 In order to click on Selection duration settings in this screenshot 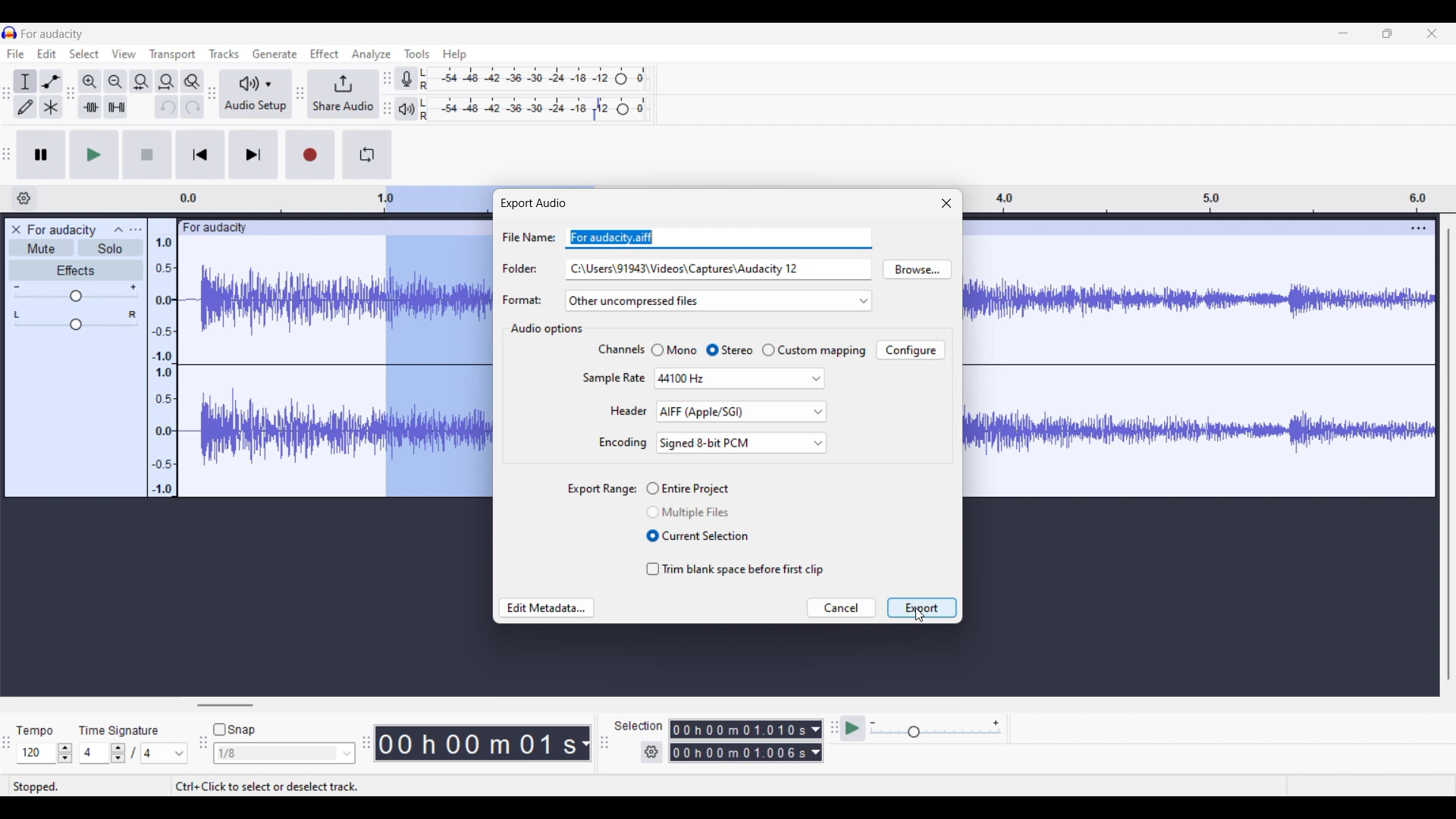, I will do `click(651, 752)`.